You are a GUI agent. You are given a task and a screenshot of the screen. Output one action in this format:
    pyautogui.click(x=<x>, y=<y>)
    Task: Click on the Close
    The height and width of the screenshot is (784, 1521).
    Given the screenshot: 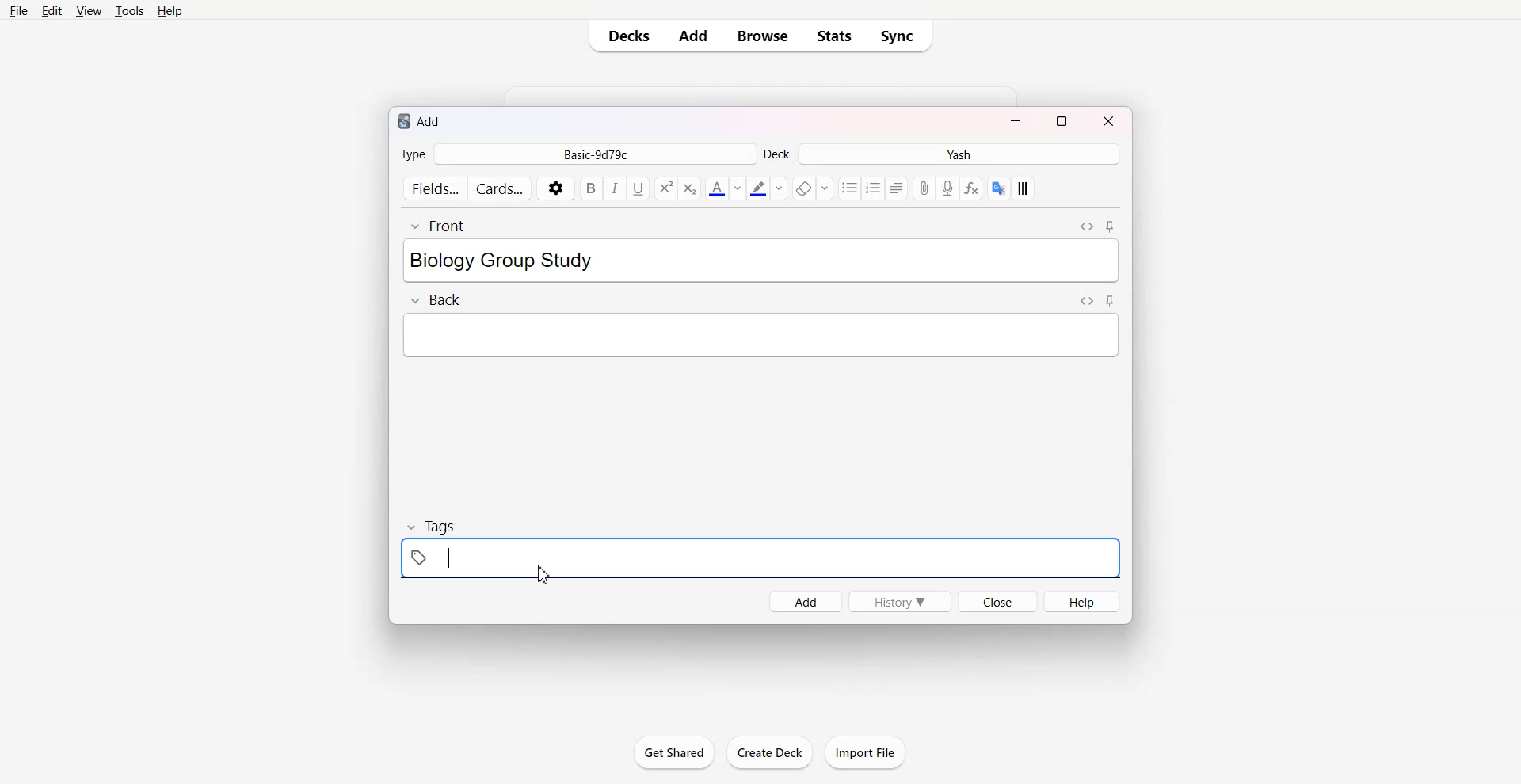 What is the action you would take?
    pyautogui.click(x=997, y=601)
    